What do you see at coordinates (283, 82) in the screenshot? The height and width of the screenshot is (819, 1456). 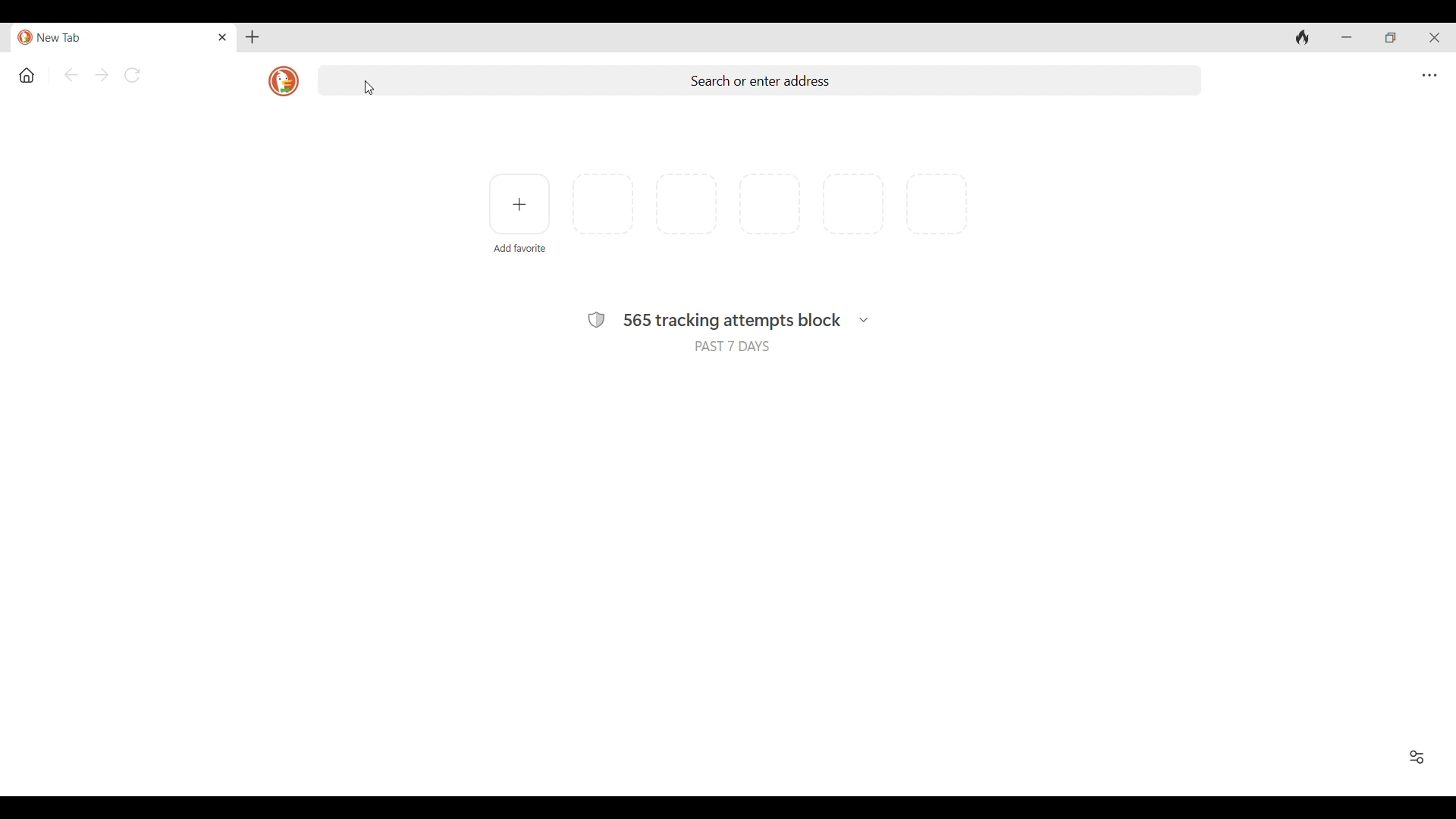 I see `Browser logo` at bounding box center [283, 82].